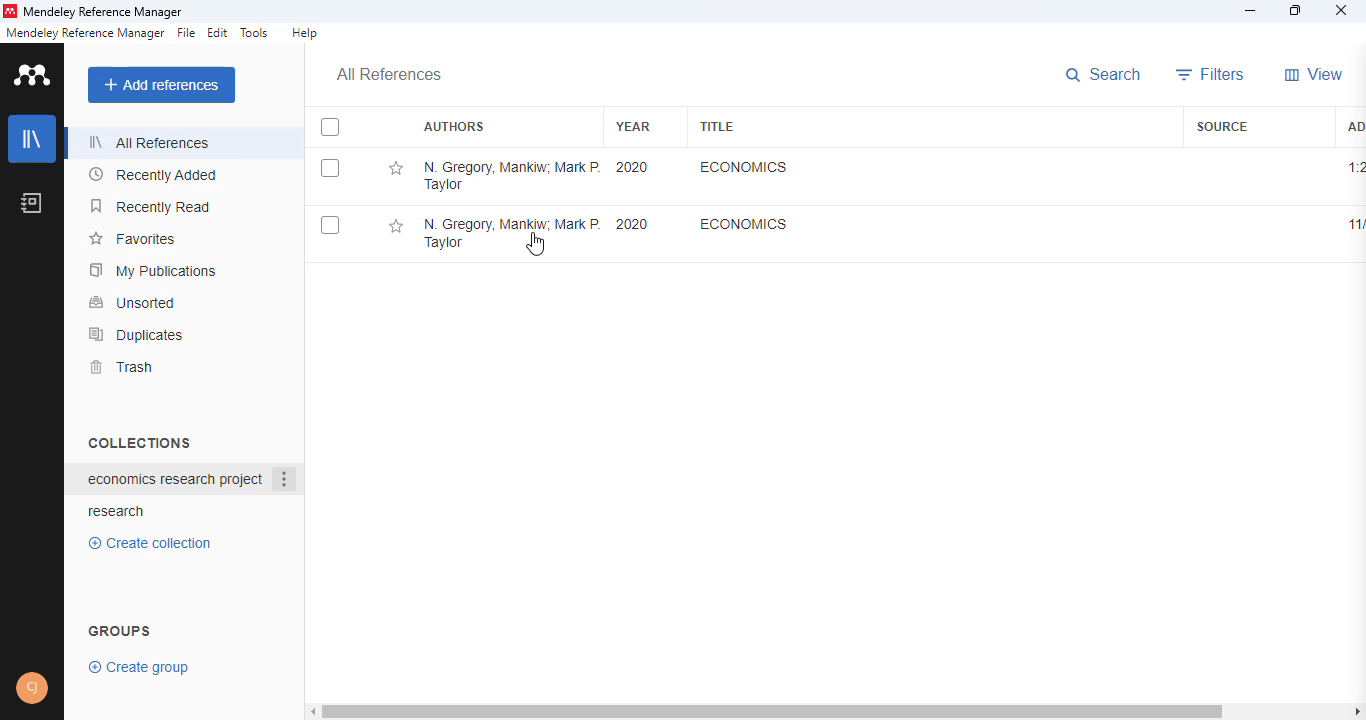  I want to click on 2020, so click(632, 224).